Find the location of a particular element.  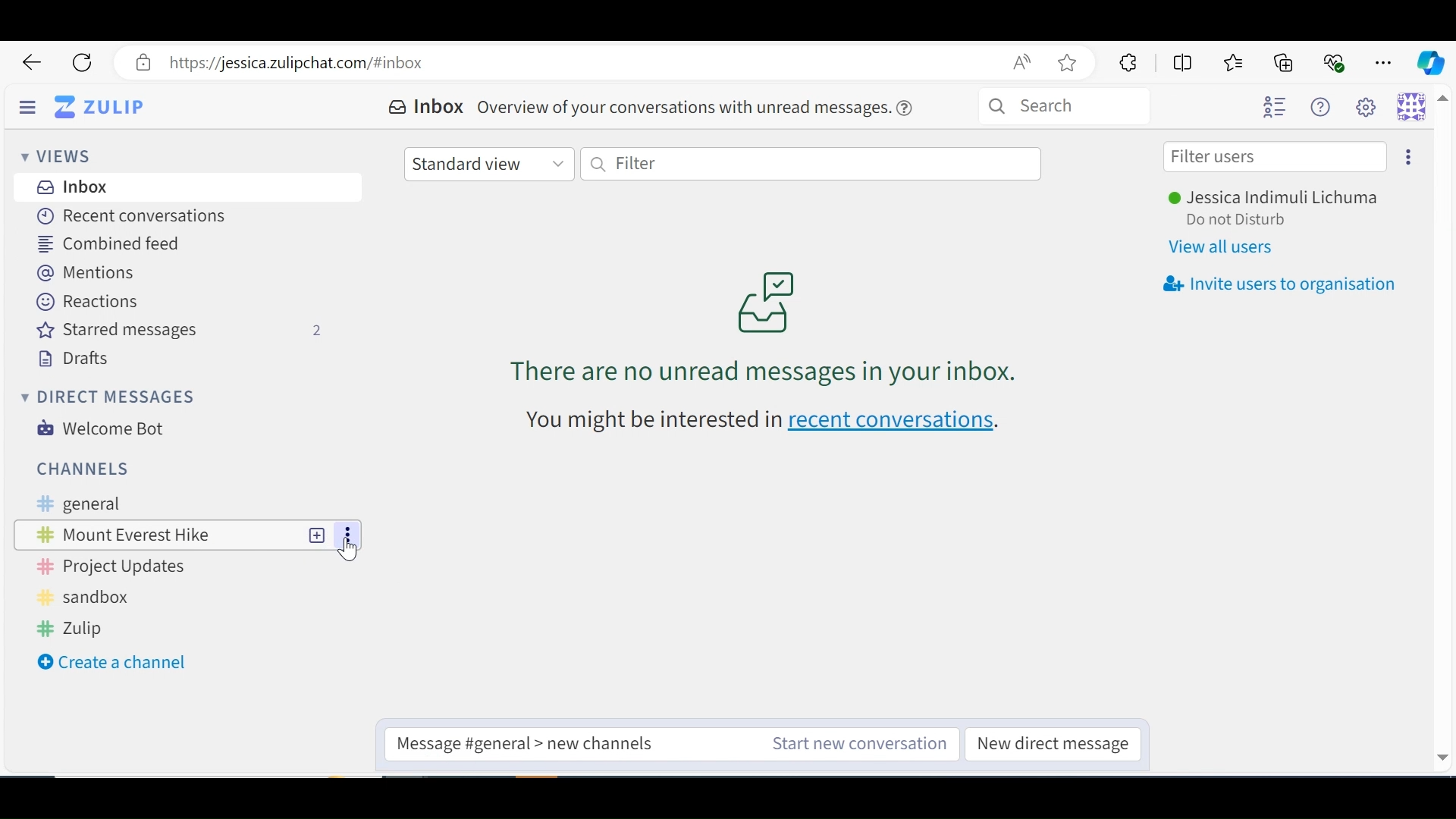

more options is located at coordinates (343, 535).